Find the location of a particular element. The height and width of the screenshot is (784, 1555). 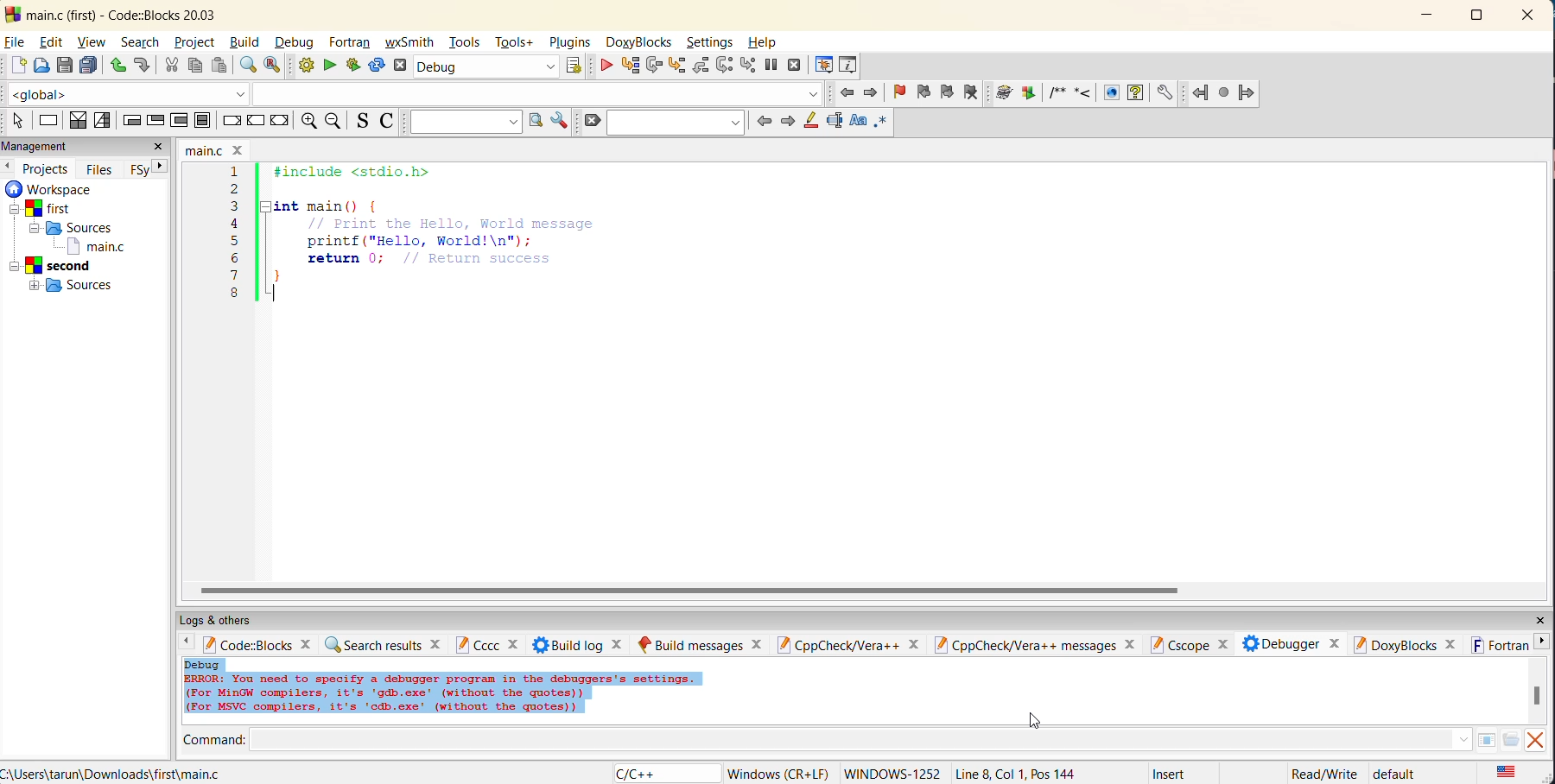

C:\Users\tarun\Downloads\first\main.c is located at coordinates (117, 773).